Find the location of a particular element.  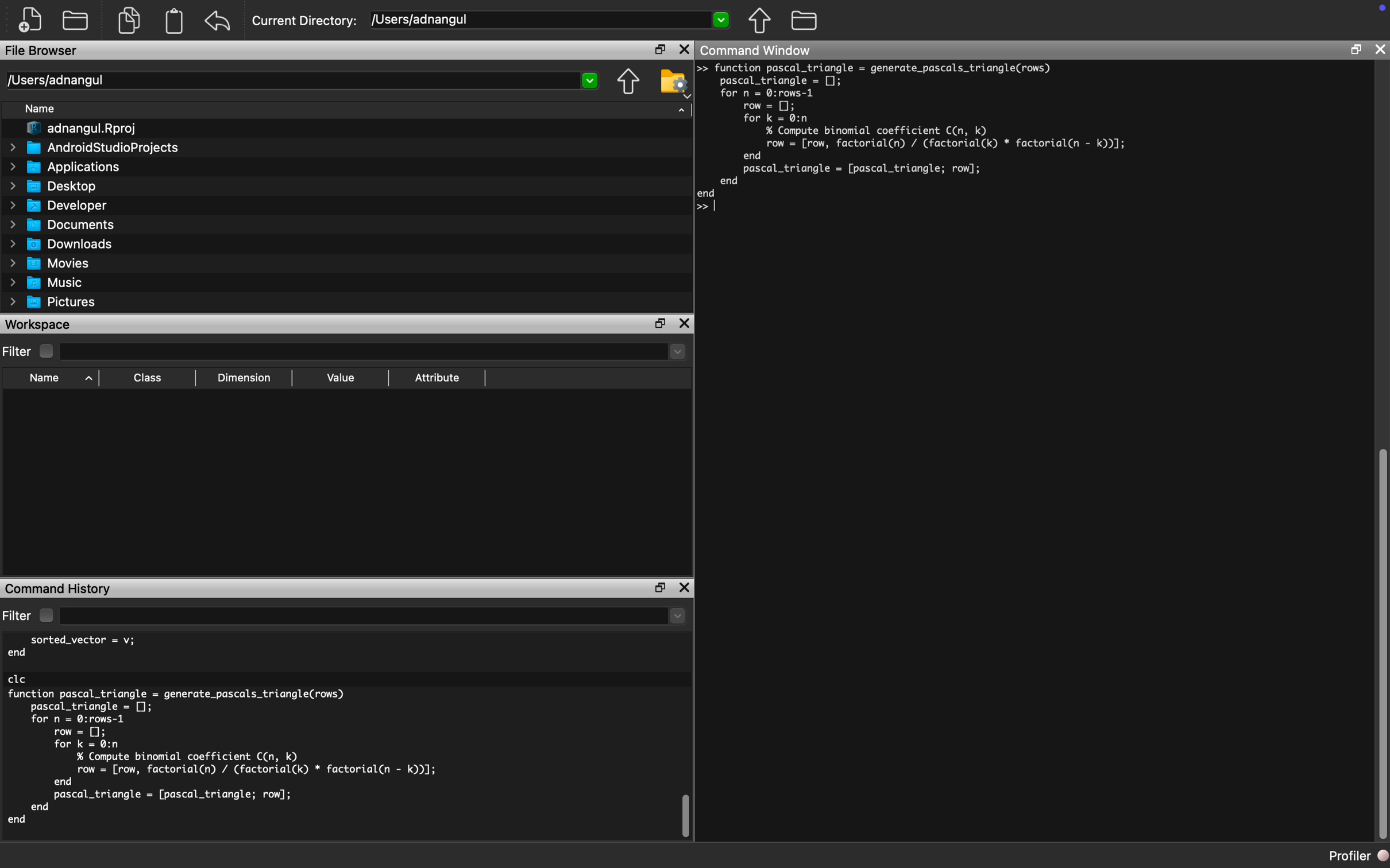

Folder is located at coordinates (804, 21).